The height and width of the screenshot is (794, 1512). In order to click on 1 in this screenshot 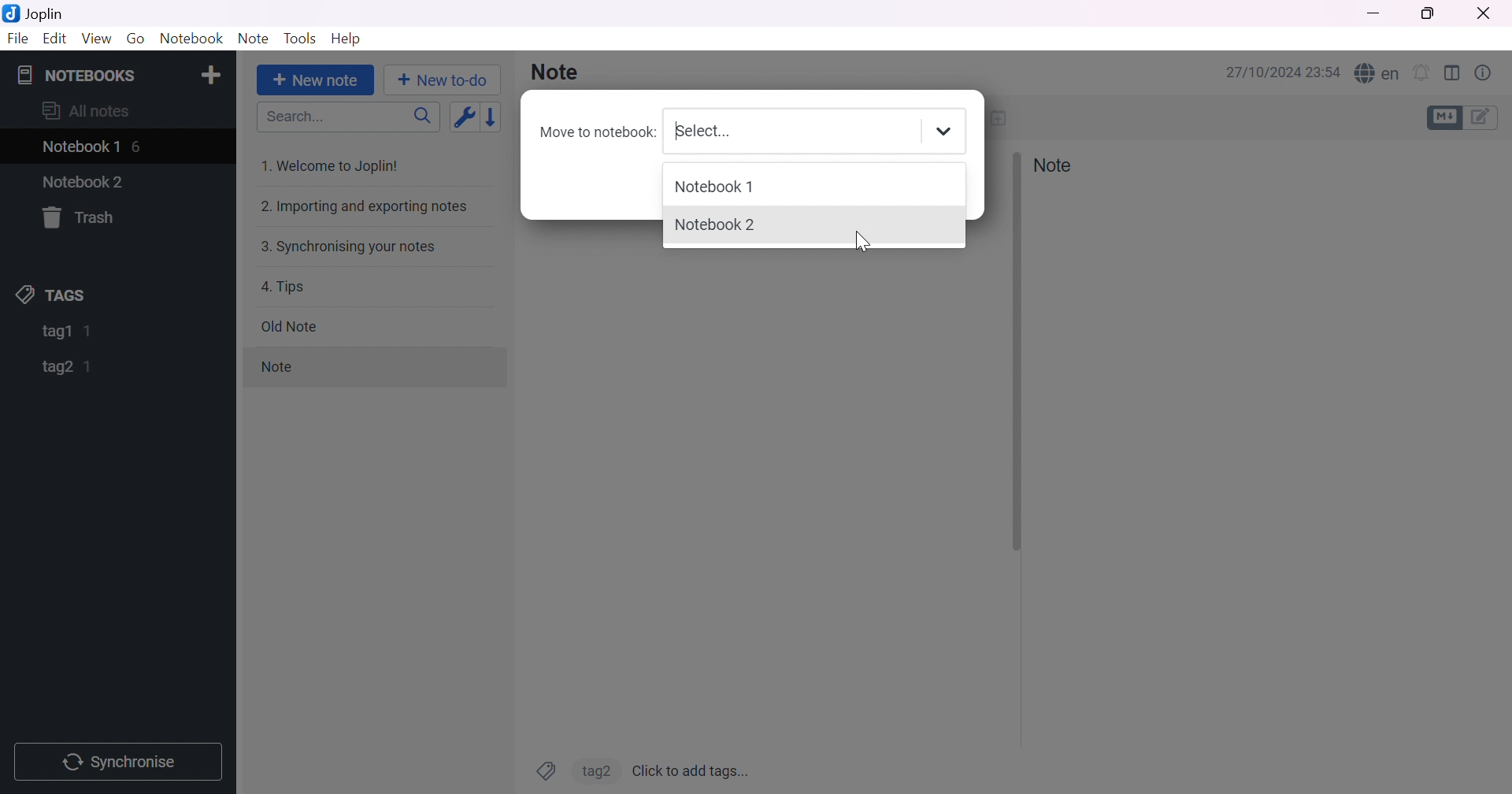, I will do `click(91, 331)`.